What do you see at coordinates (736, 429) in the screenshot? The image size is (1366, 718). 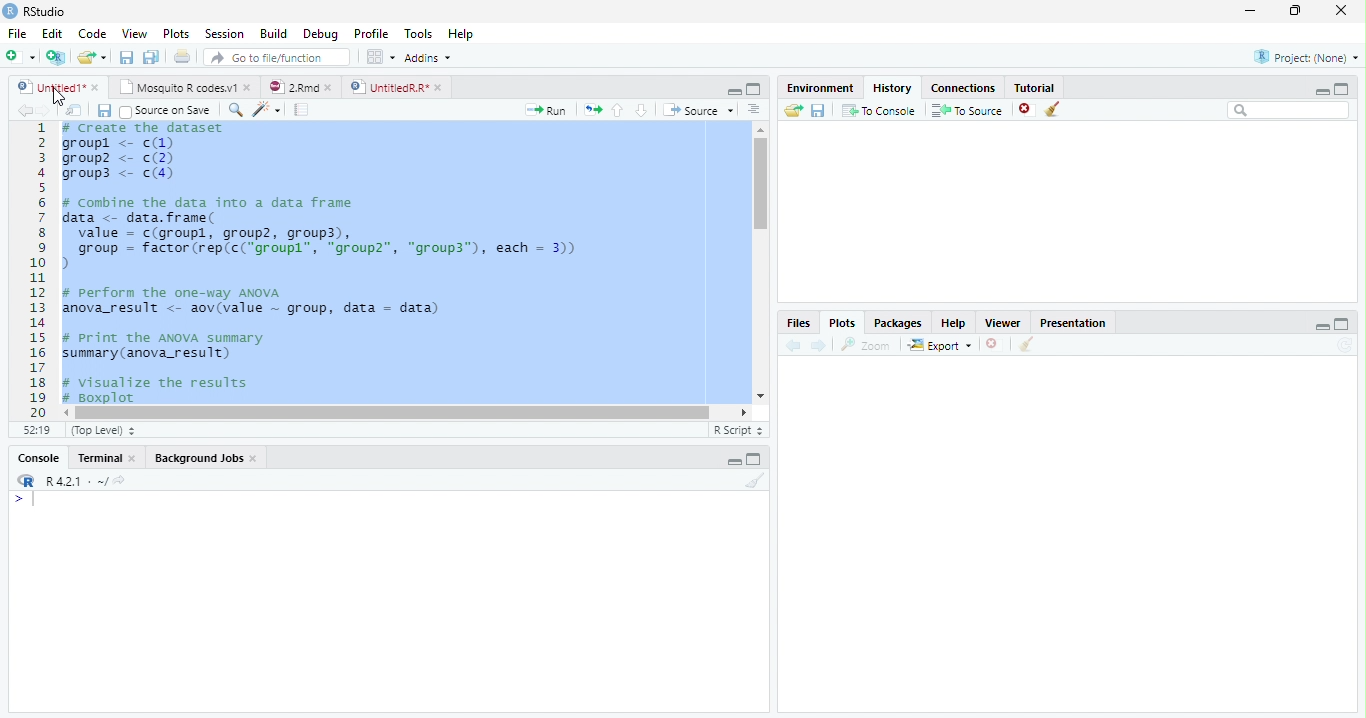 I see `R script` at bounding box center [736, 429].